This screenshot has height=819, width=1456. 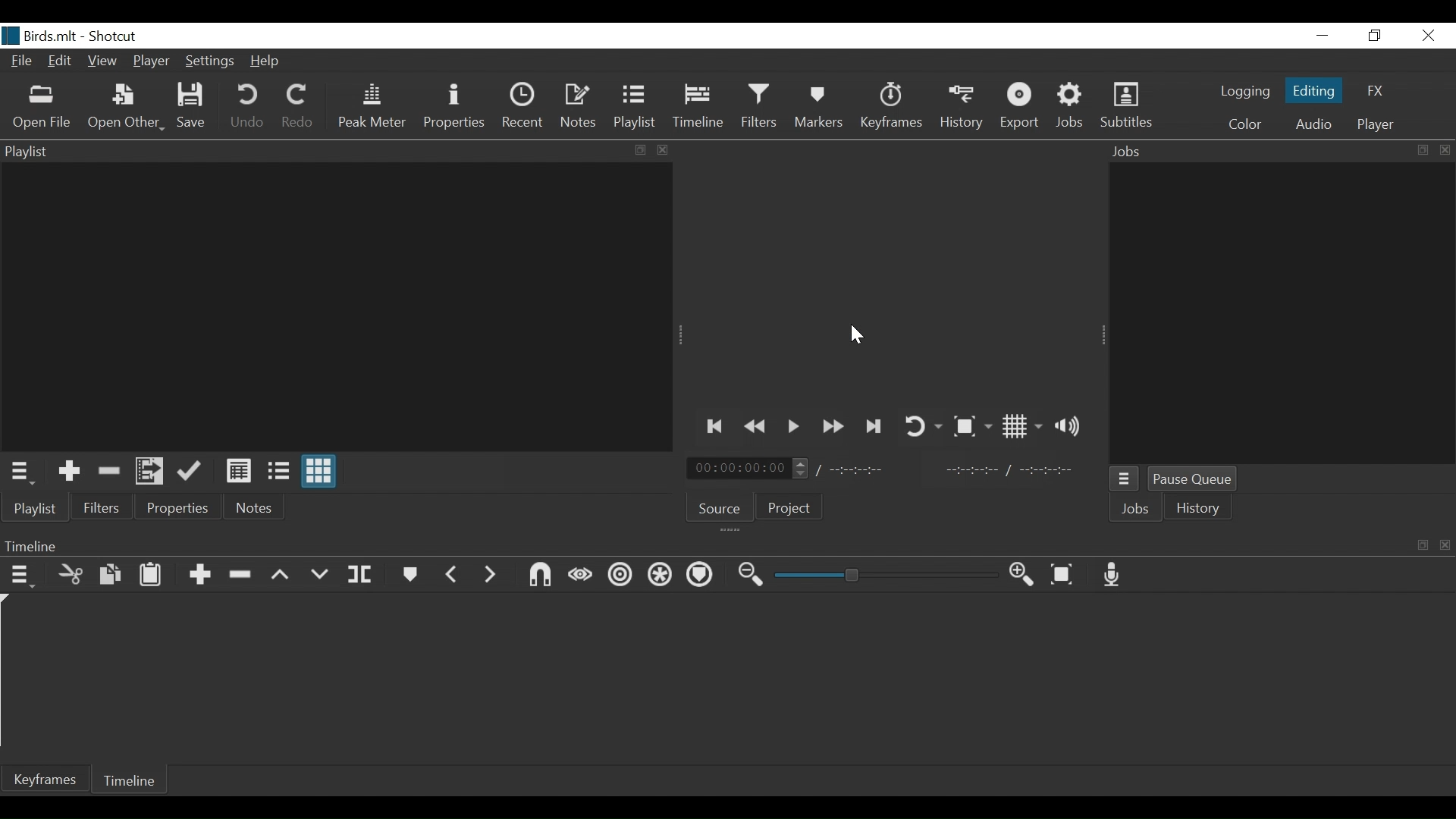 What do you see at coordinates (661, 576) in the screenshot?
I see `Ripple all tracks` at bounding box center [661, 576].